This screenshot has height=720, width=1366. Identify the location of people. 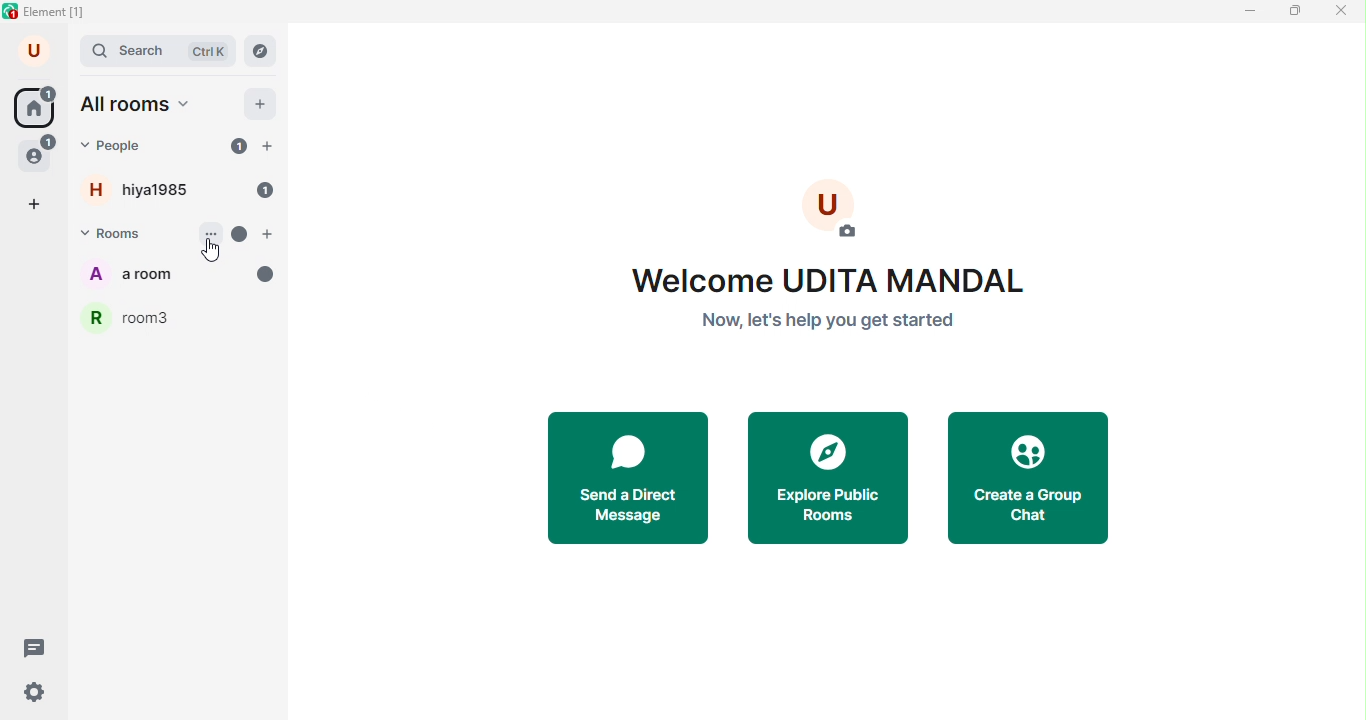
(121, 147).